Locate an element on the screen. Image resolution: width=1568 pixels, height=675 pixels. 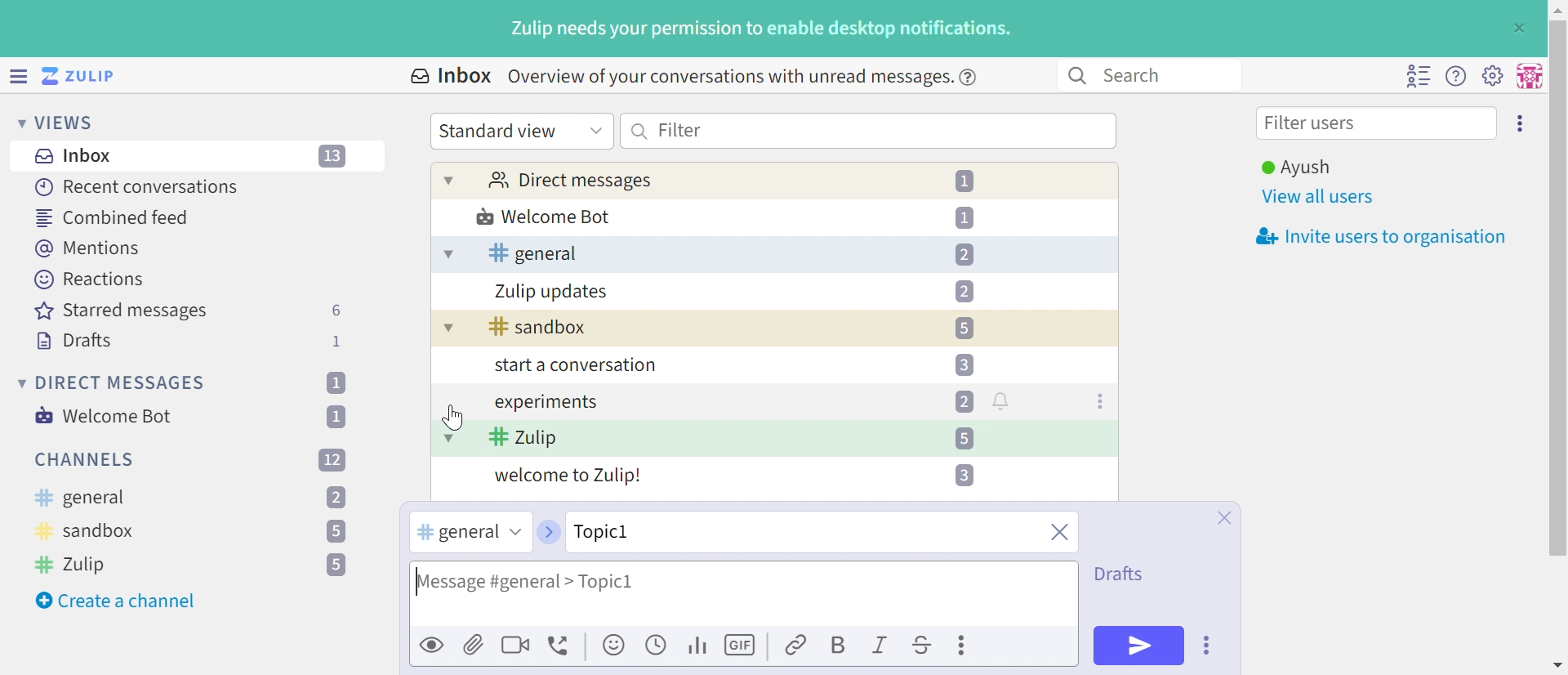
12 is located at coordinates (332, 458).